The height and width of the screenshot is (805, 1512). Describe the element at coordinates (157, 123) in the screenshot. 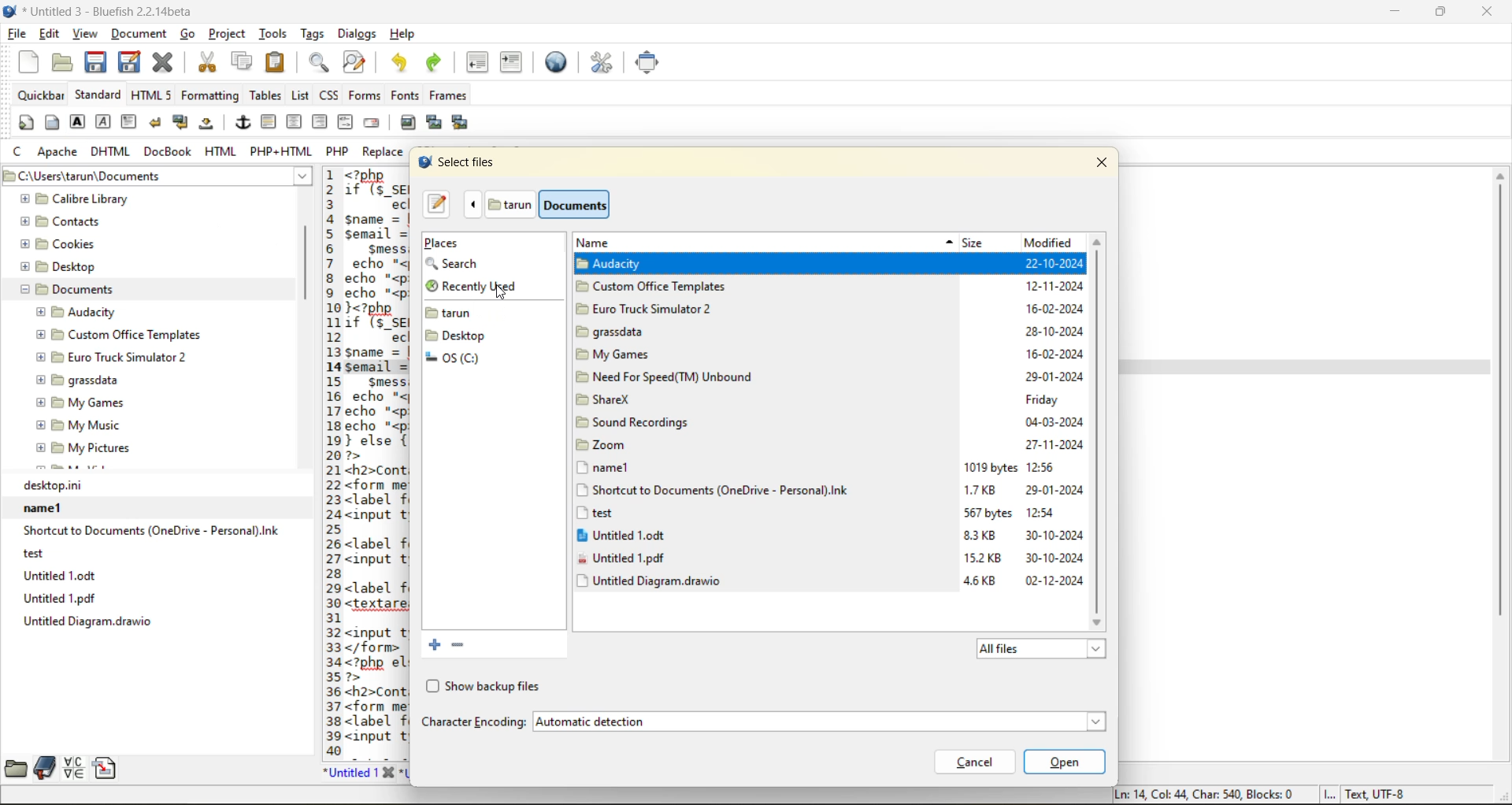

I see `break` at that location.